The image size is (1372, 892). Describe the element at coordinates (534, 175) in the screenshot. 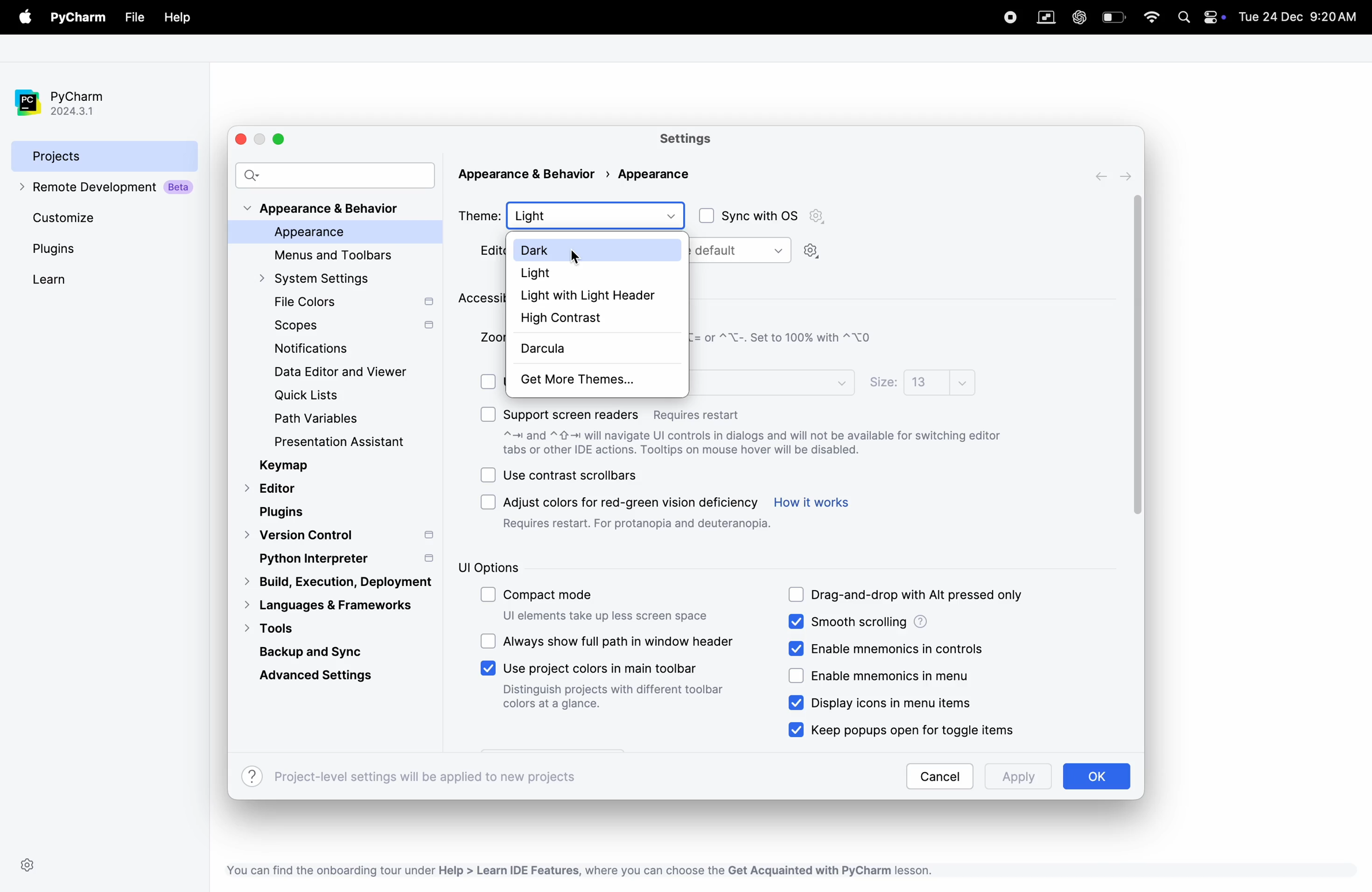

I see `apperance` at that location.